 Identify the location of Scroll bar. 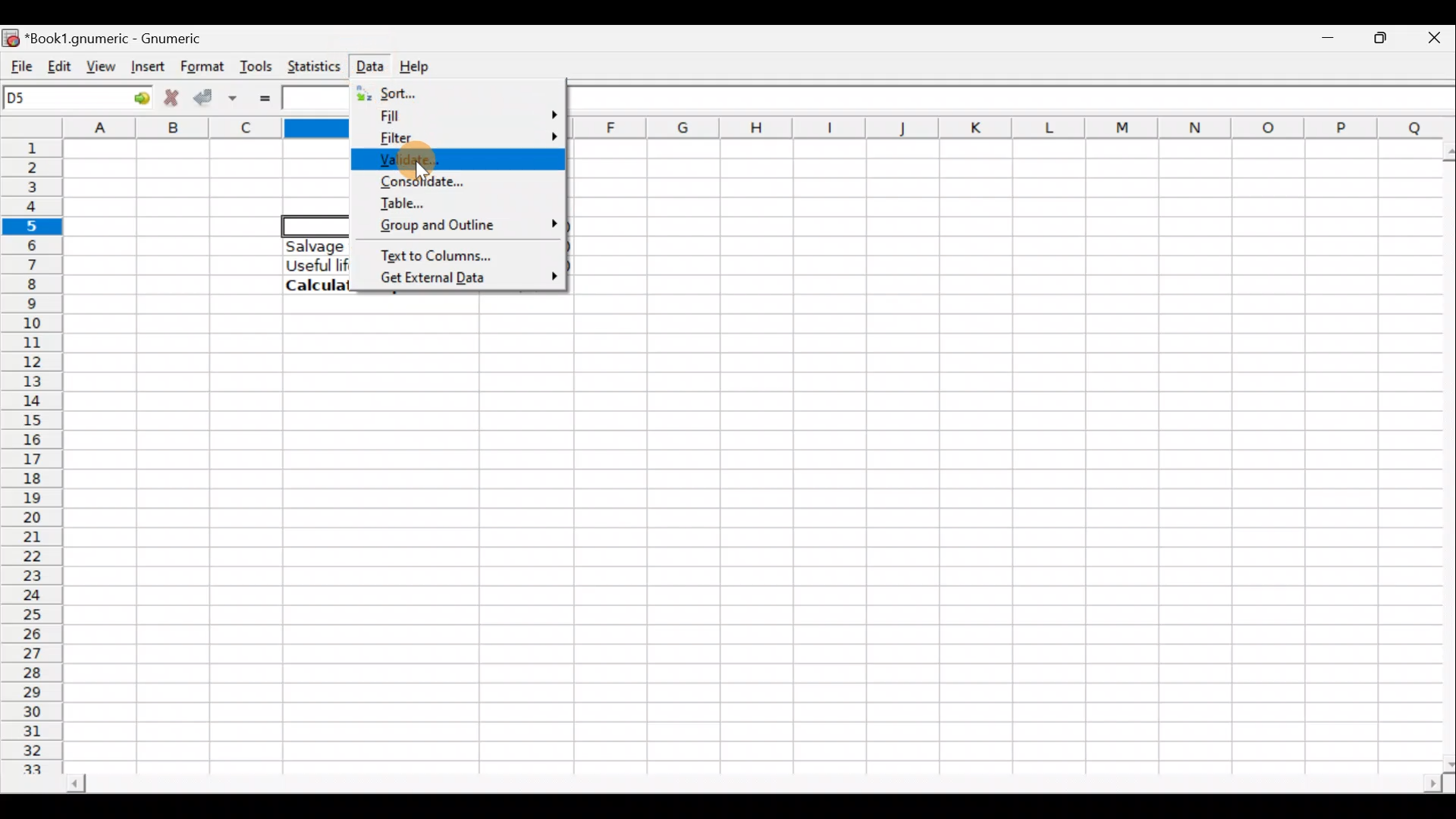
(1439, 454).